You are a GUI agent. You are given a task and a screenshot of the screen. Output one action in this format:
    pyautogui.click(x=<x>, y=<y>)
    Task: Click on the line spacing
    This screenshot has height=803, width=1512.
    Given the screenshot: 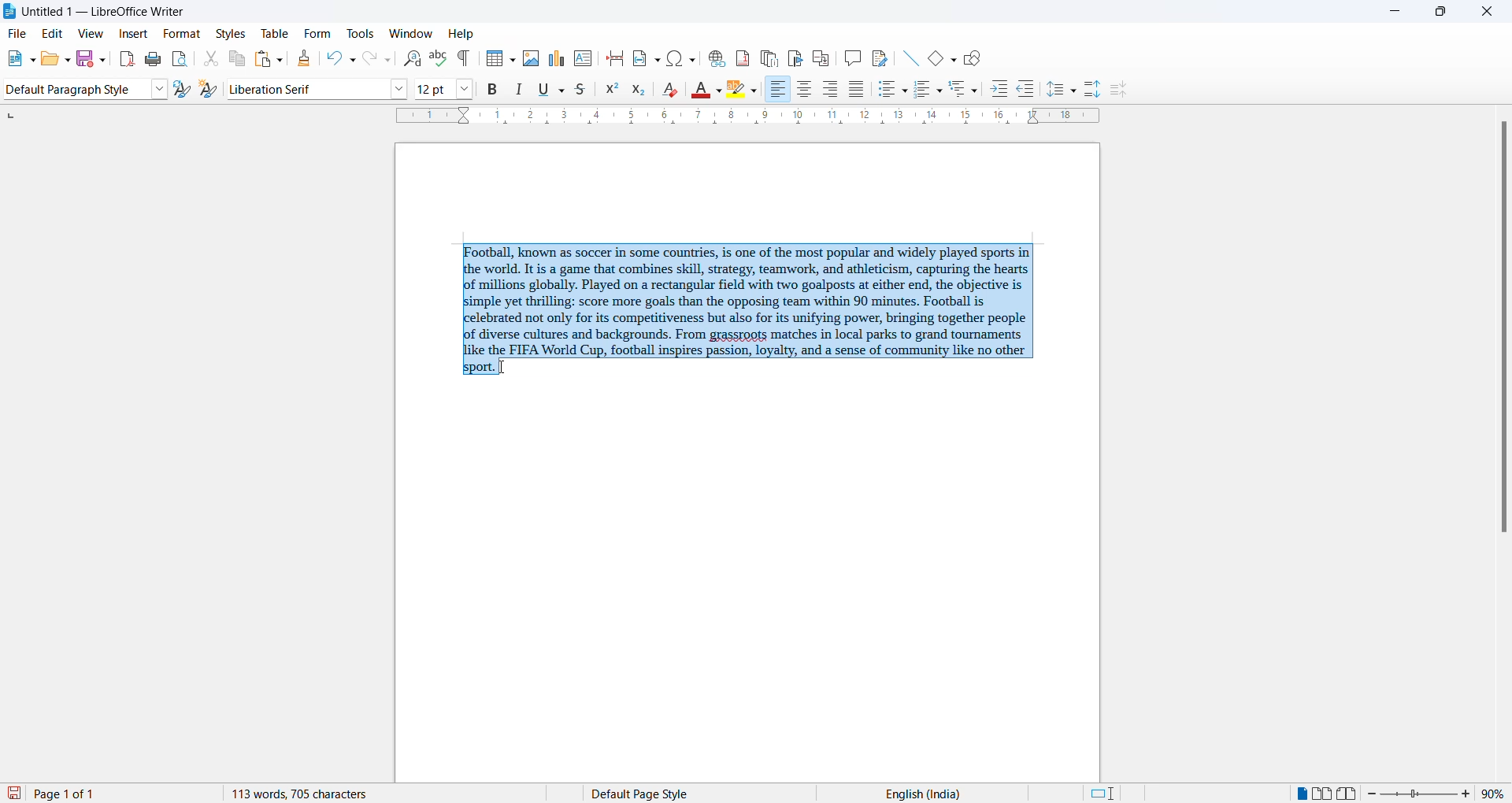 What is the action you would take?
    pyautogui.click(x=1054, y=90)
    